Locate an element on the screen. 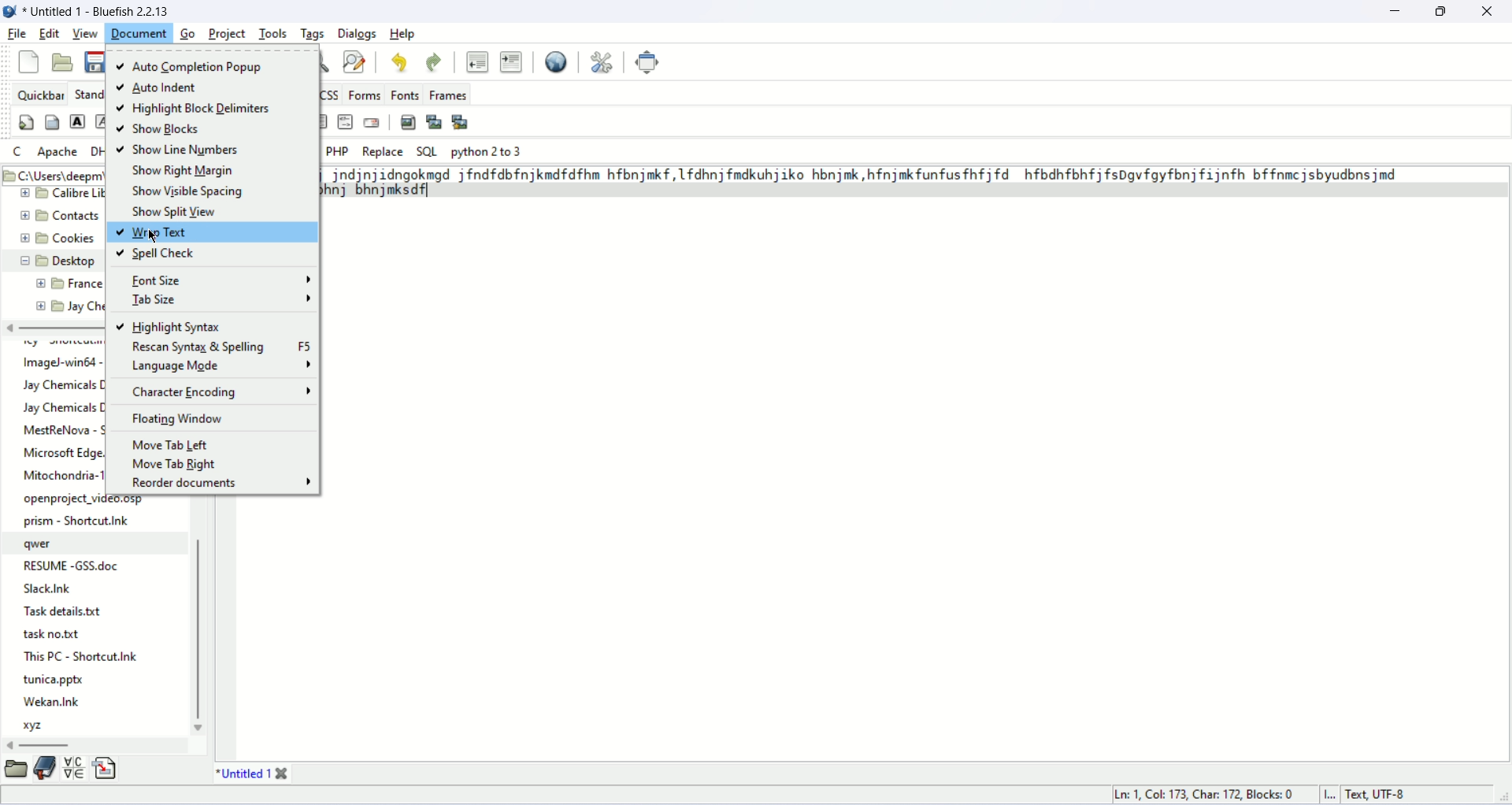  advance find and replace is located at coordinates (355, 61).